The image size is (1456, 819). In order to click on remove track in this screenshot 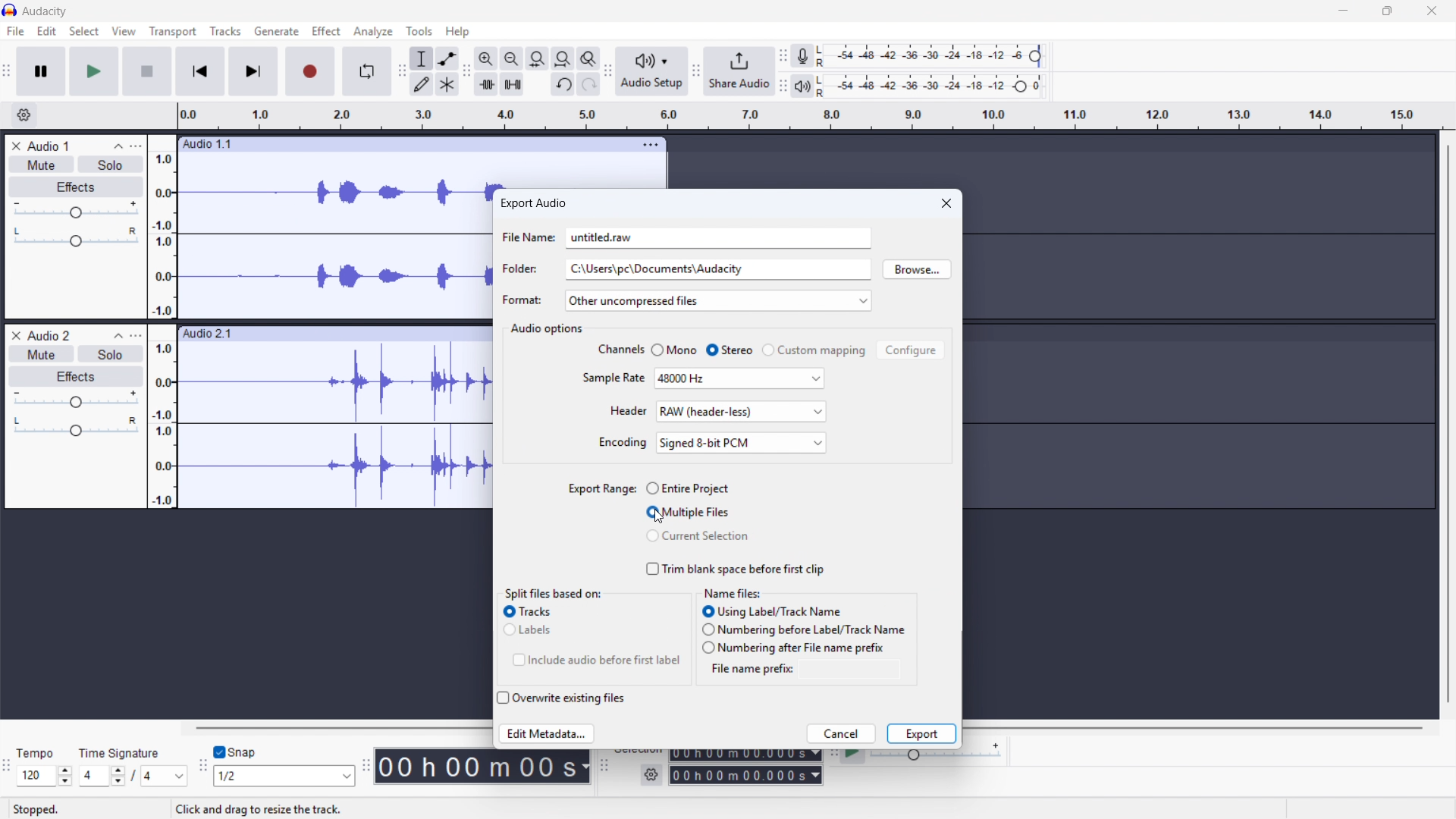, I will do `click(15, 146)`.